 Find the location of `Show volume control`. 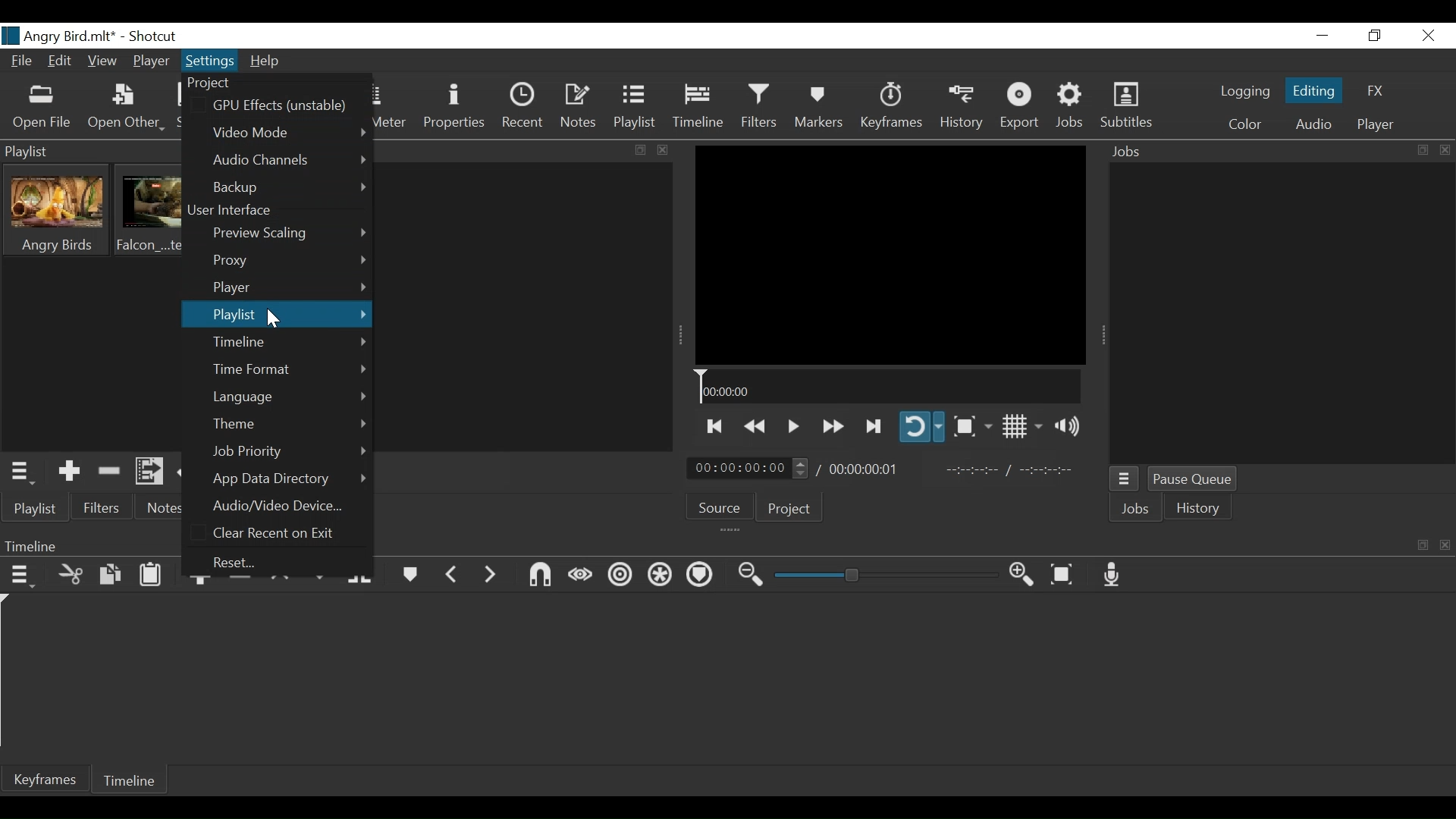

Show volume control is located at coordinates (1065, 426).